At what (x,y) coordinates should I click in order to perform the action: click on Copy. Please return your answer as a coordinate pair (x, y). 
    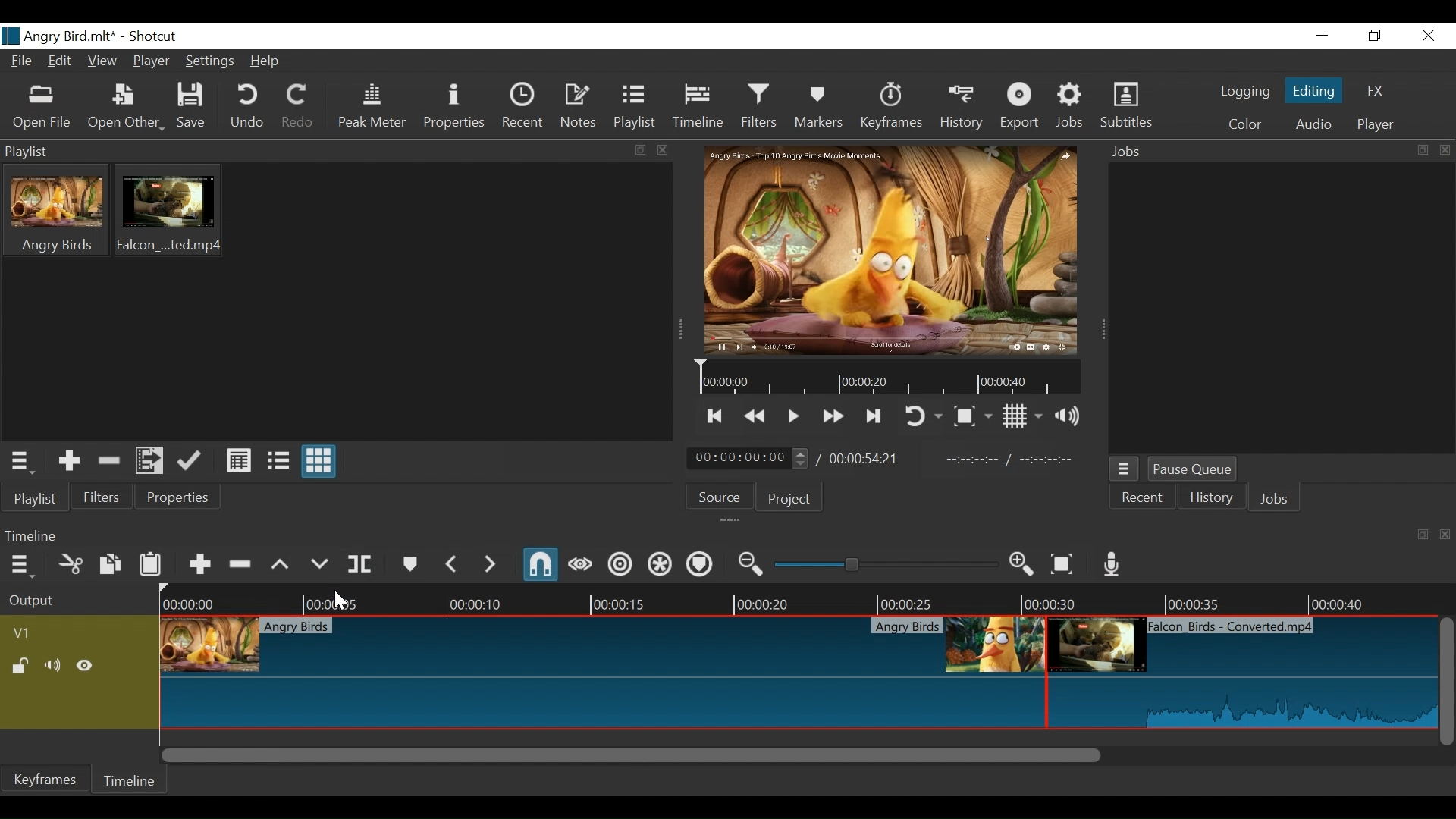
    Looking at the image, I should click on (110, 564).